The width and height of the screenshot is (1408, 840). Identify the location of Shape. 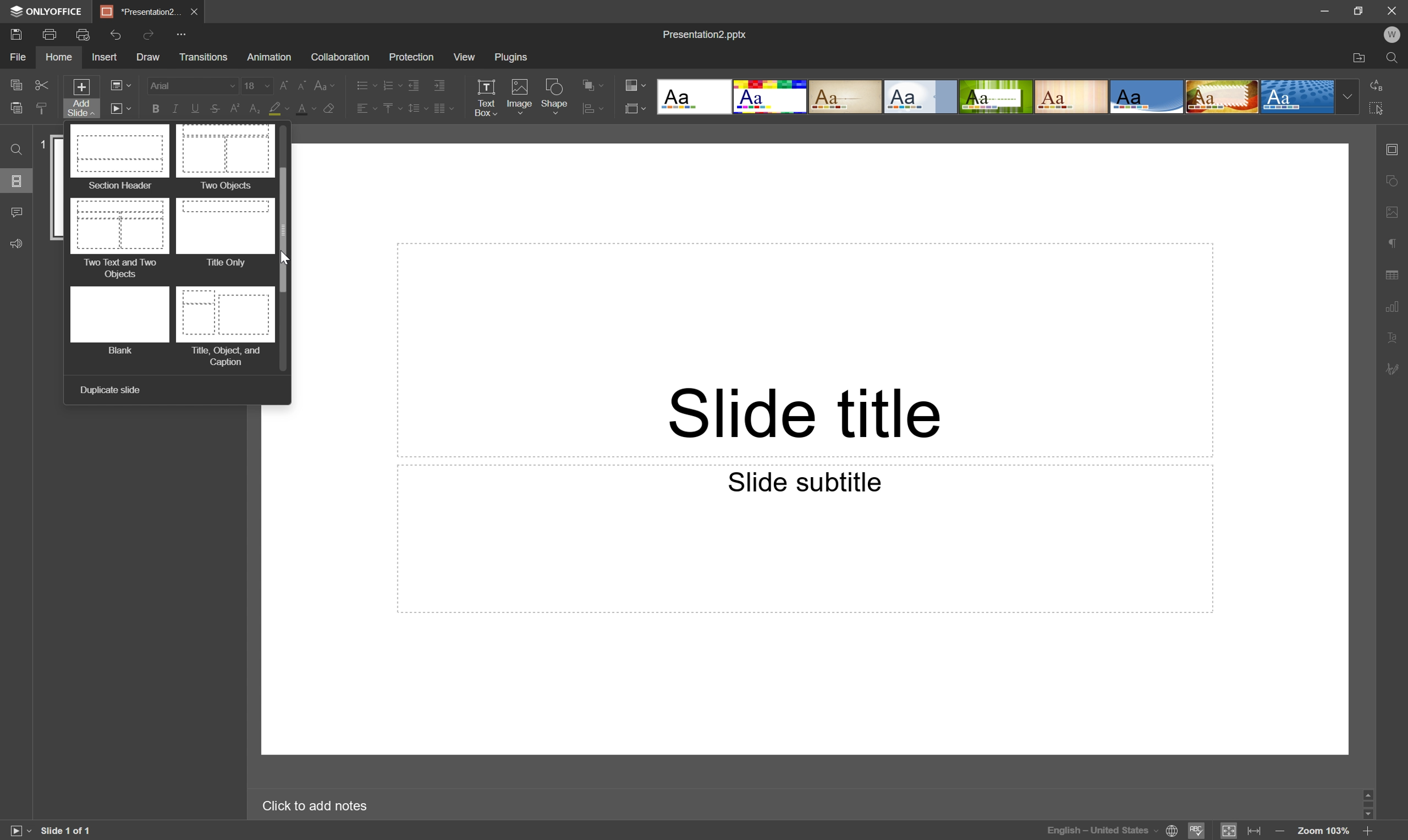
(557, 96).